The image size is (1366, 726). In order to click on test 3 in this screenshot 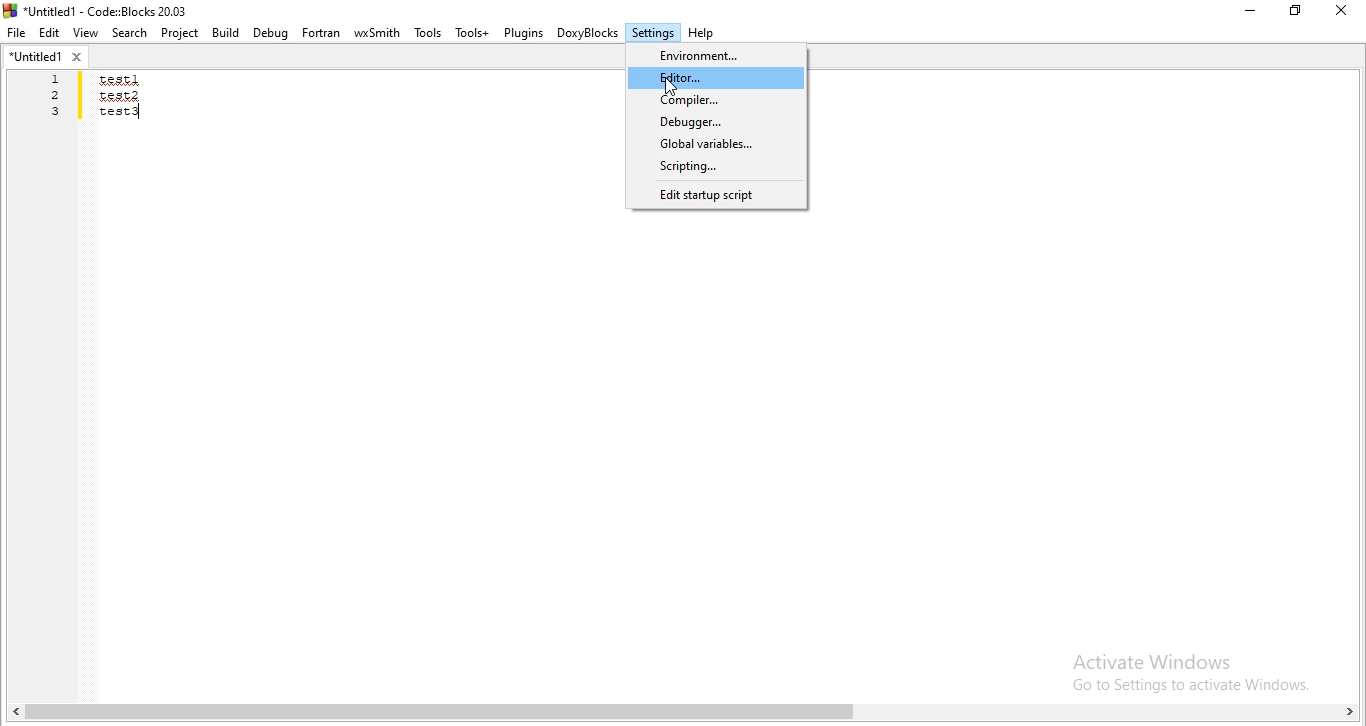, I will do `click(119, 116)`.